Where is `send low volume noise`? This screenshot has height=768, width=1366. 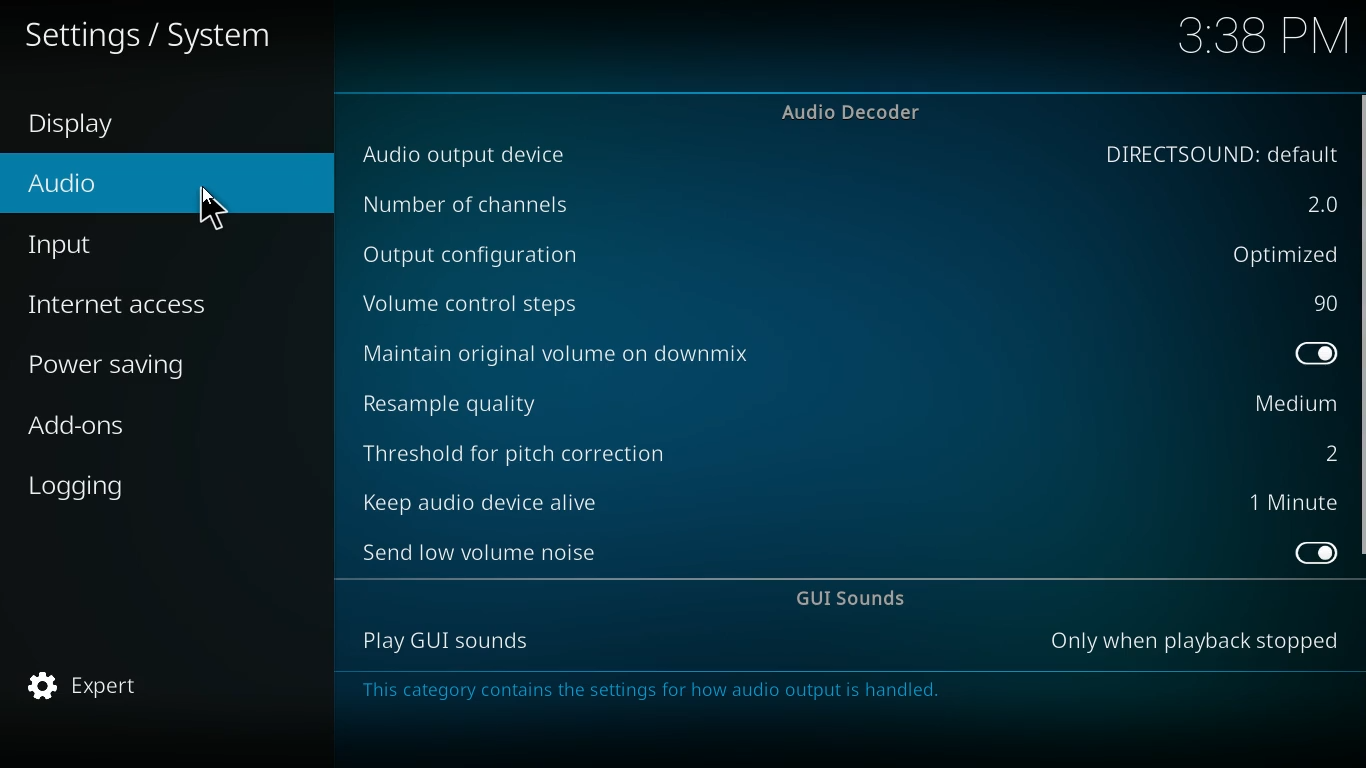
send low volume noise is located at coordinates (485, 550).